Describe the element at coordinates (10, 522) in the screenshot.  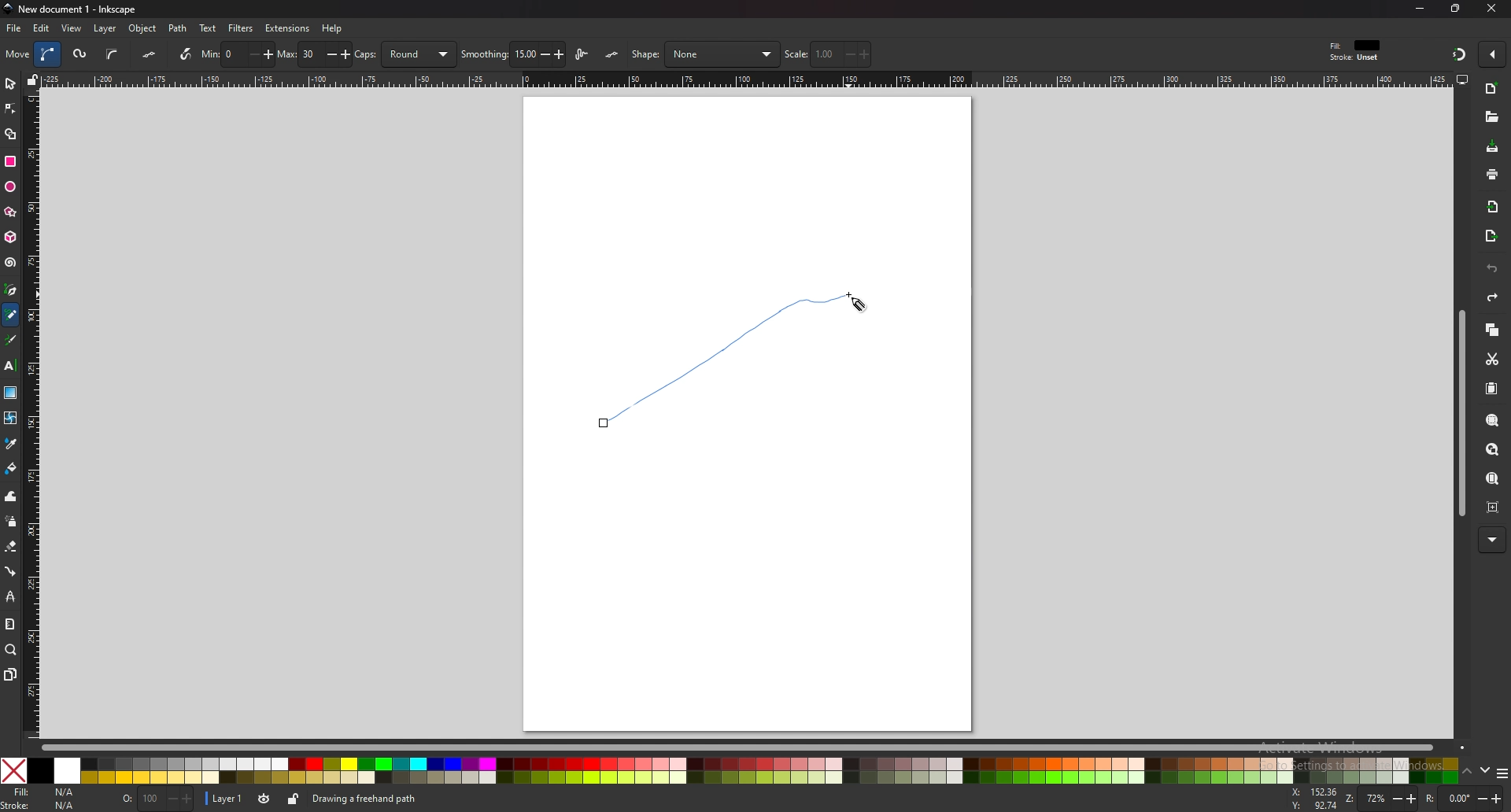
I see `spray` at that location.